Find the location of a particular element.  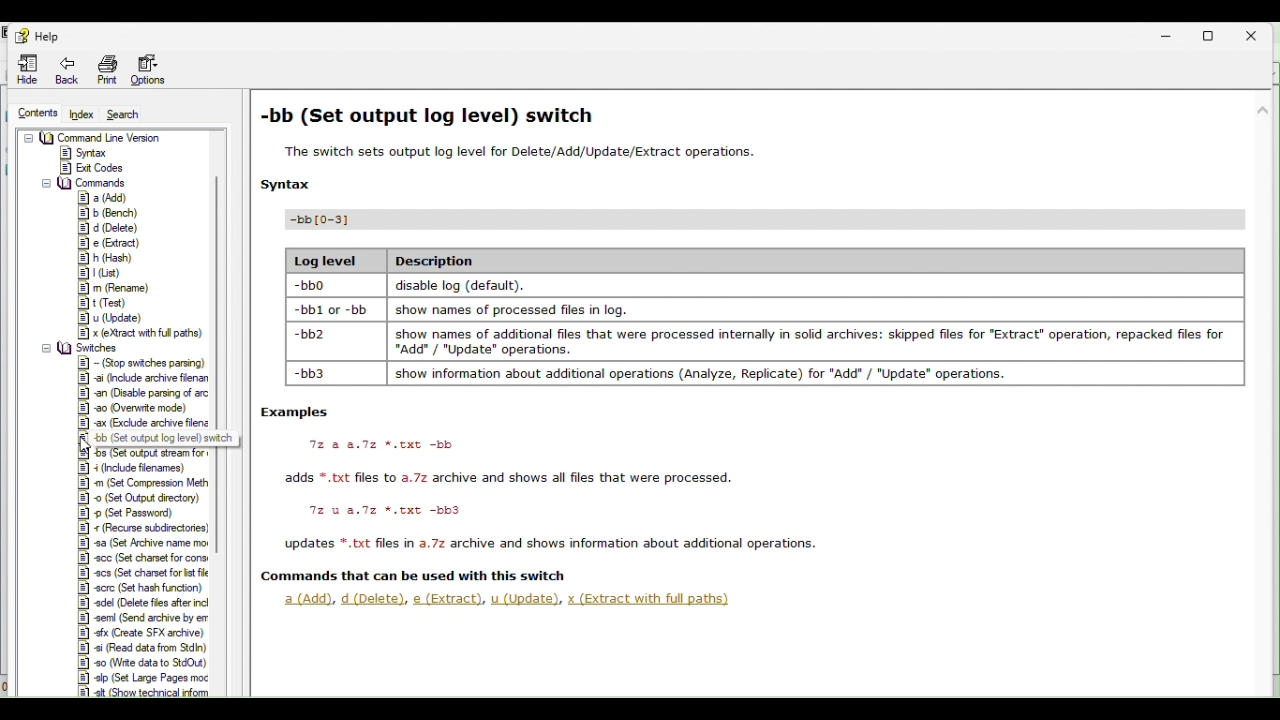

x (Extract with full paths) is located at coordinates (650, 599).